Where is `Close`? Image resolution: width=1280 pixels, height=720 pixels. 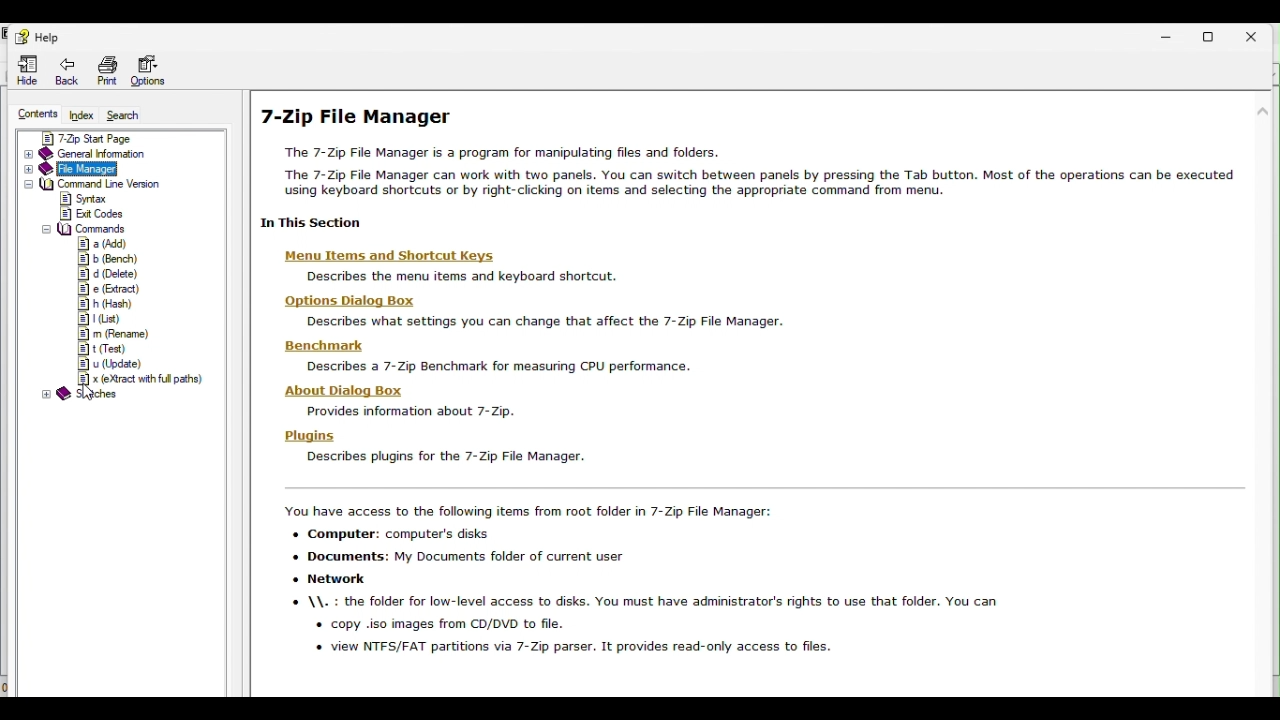 Close is located at coordinates (1259, 33).